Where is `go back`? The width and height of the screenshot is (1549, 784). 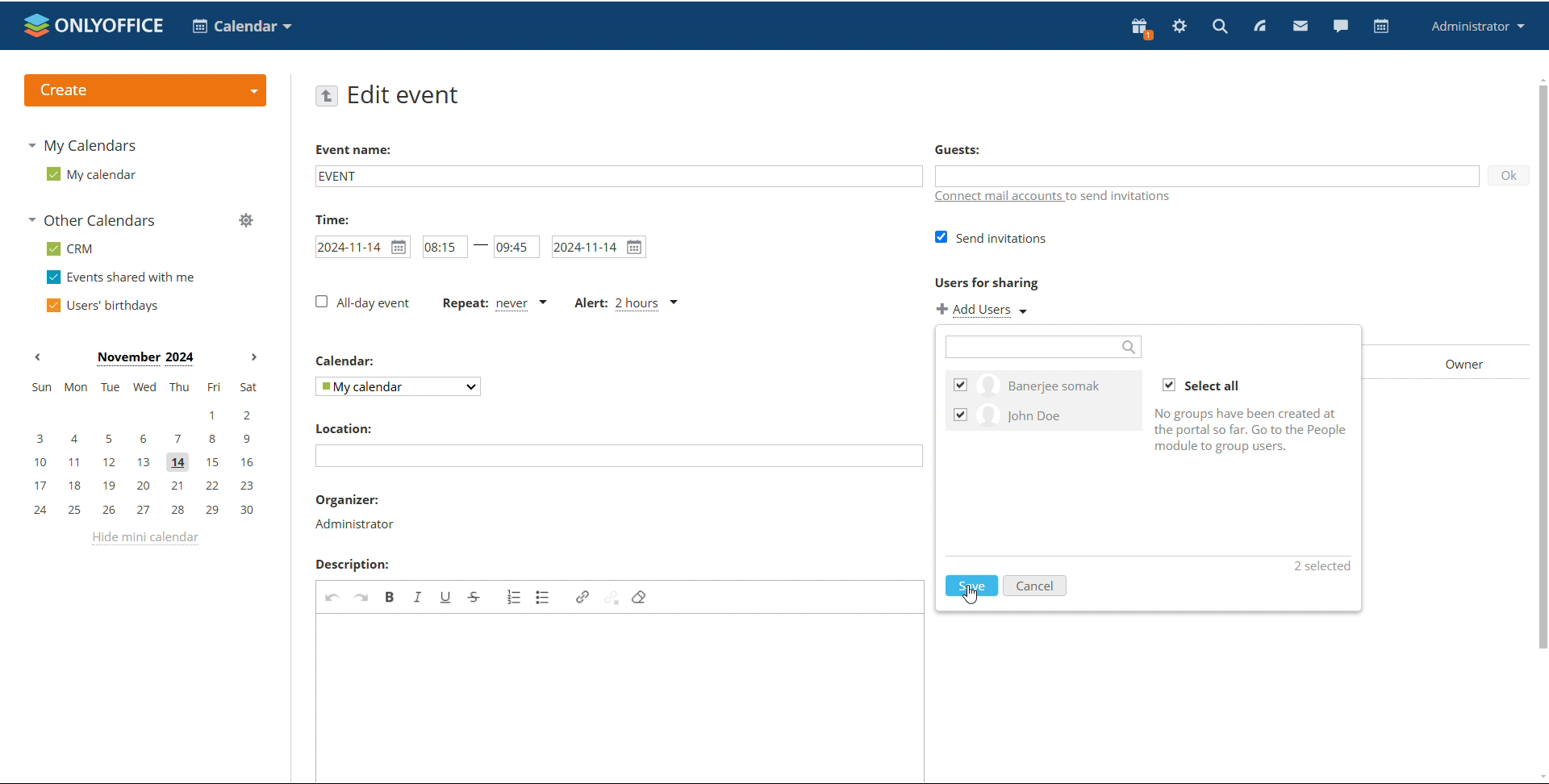
go back is located at coordinates (326, 96).